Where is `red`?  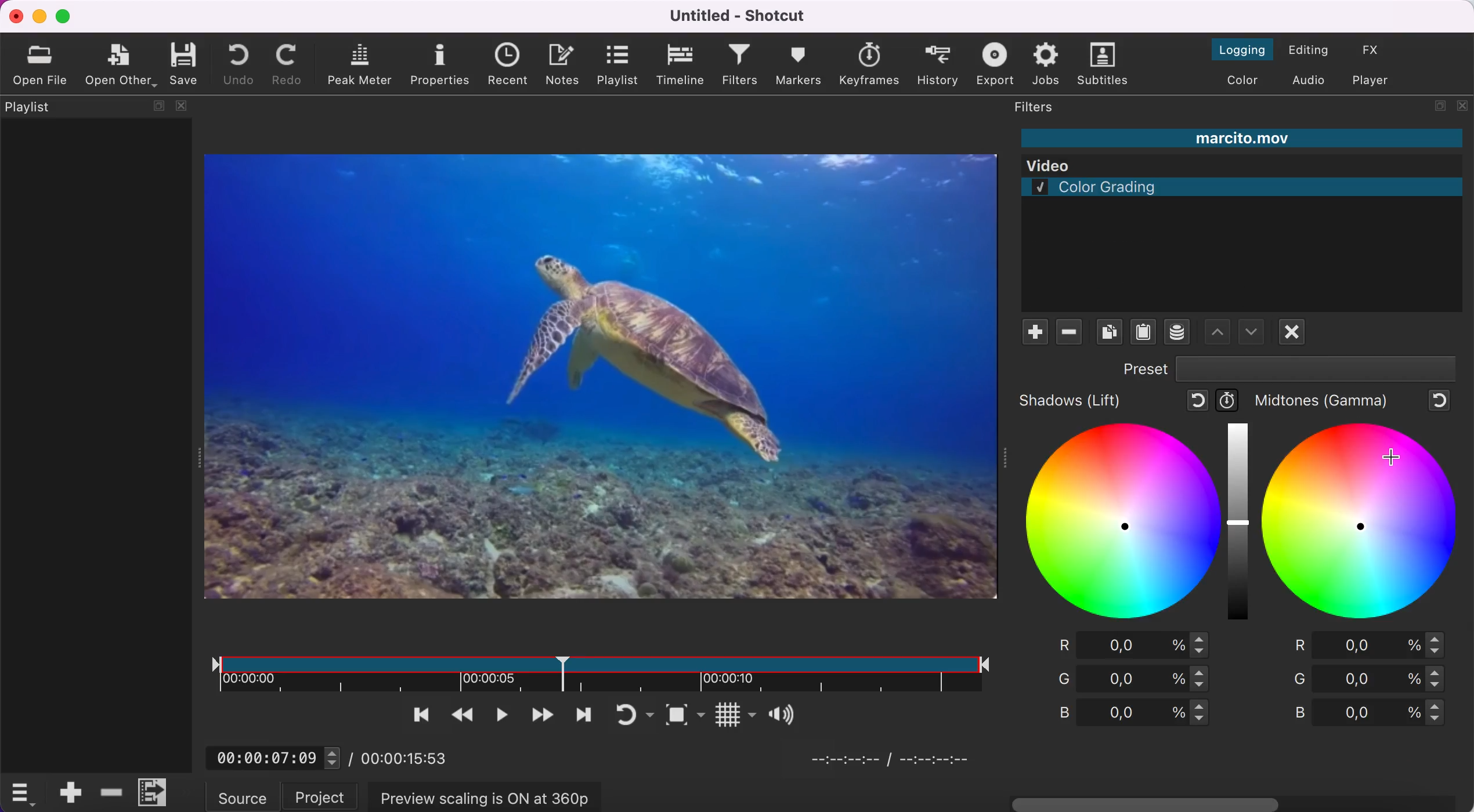 red is located at coordinates (1133, 643).